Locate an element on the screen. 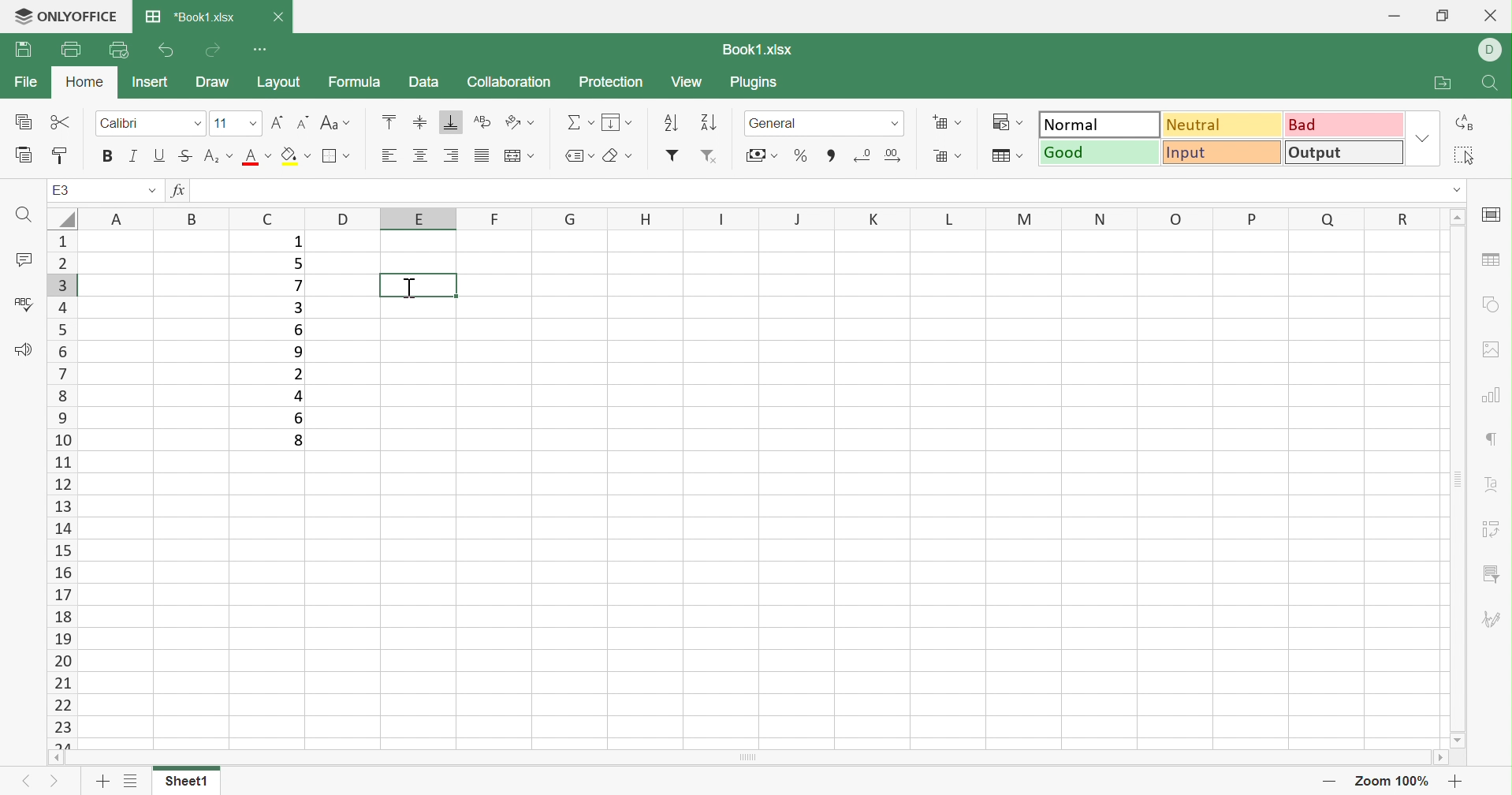 Image resolution: width=1512 pixels, height=795 pixels. Merge and center is located at coordinates (517, 156).